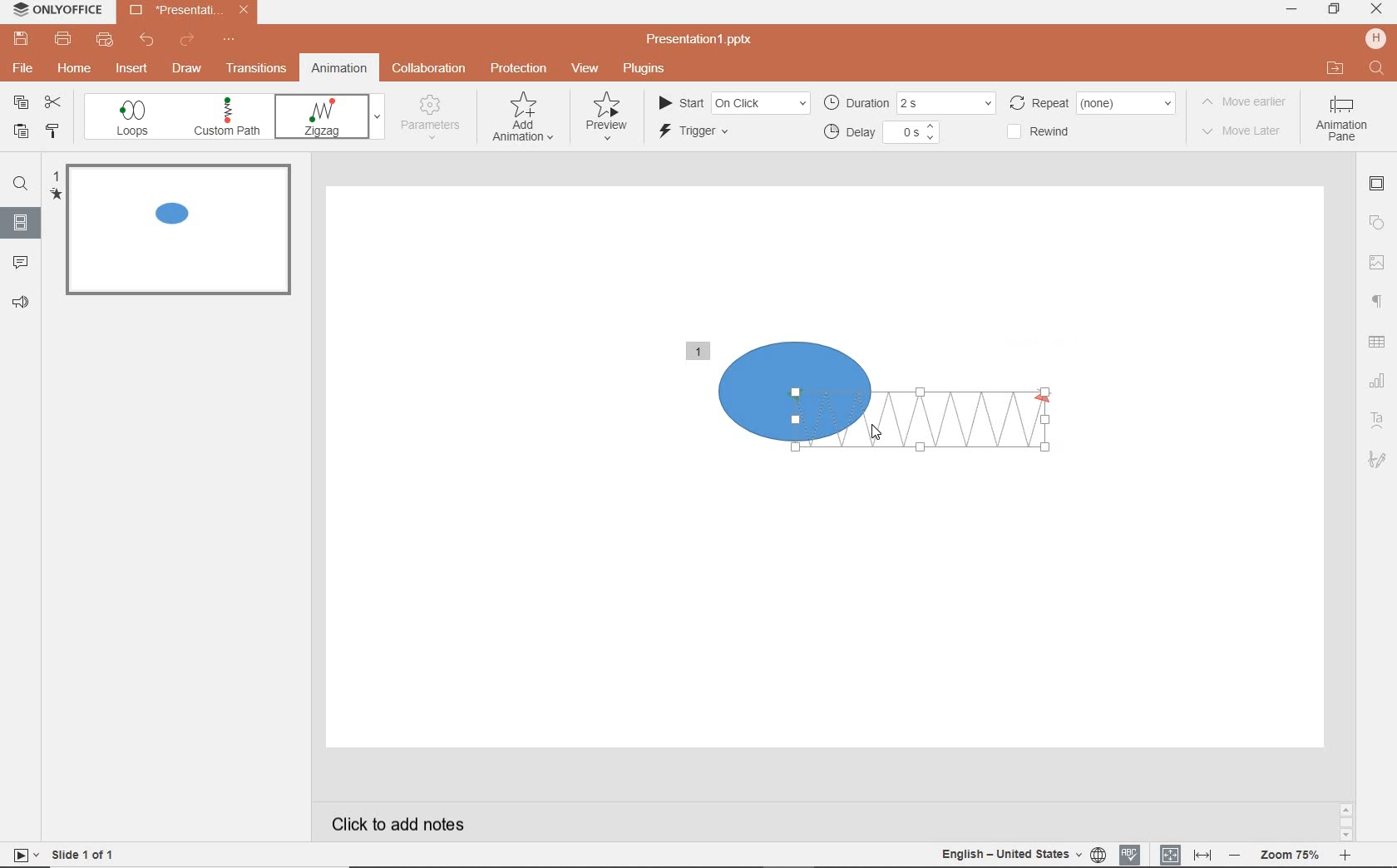  Describe the element at coordinates (22, 263) in the screenshot. I see `comments` at that location.